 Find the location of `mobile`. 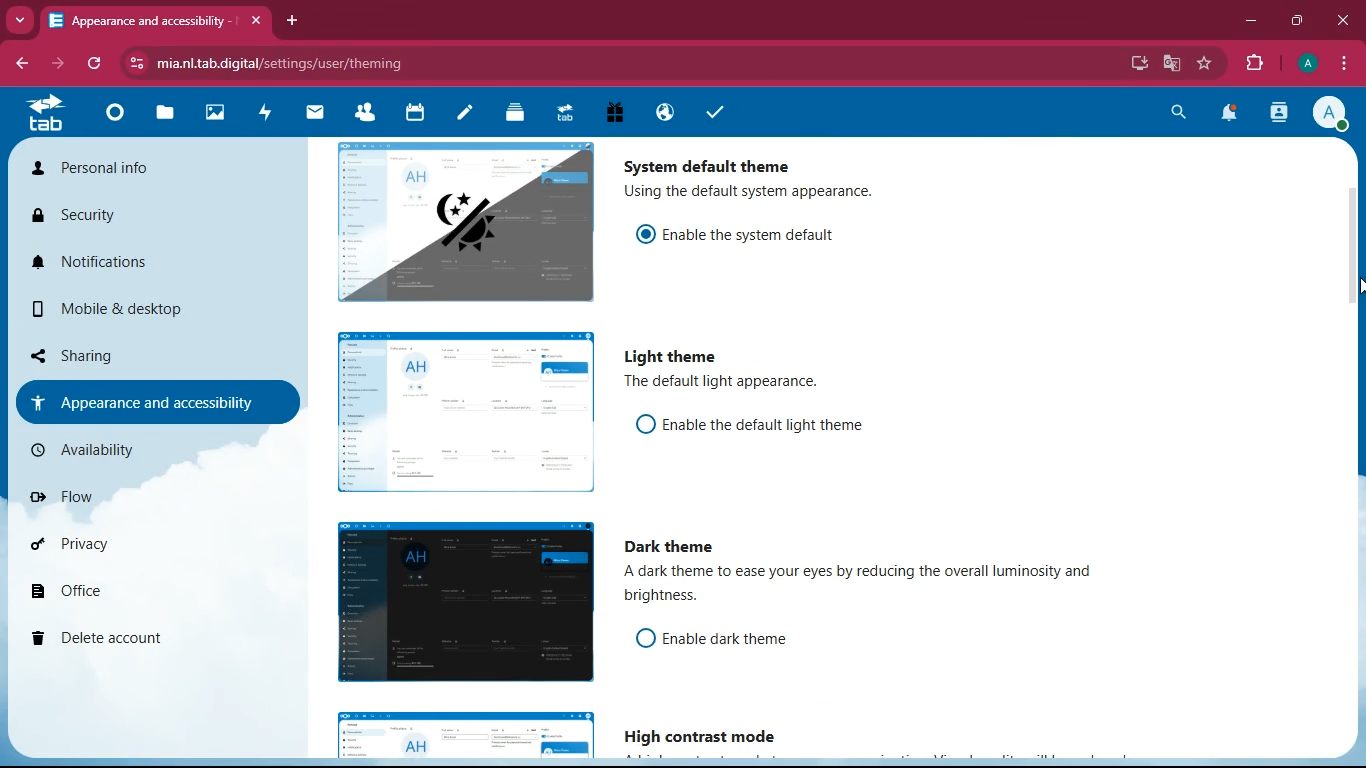

mobile is located at coordinates (102, 313).